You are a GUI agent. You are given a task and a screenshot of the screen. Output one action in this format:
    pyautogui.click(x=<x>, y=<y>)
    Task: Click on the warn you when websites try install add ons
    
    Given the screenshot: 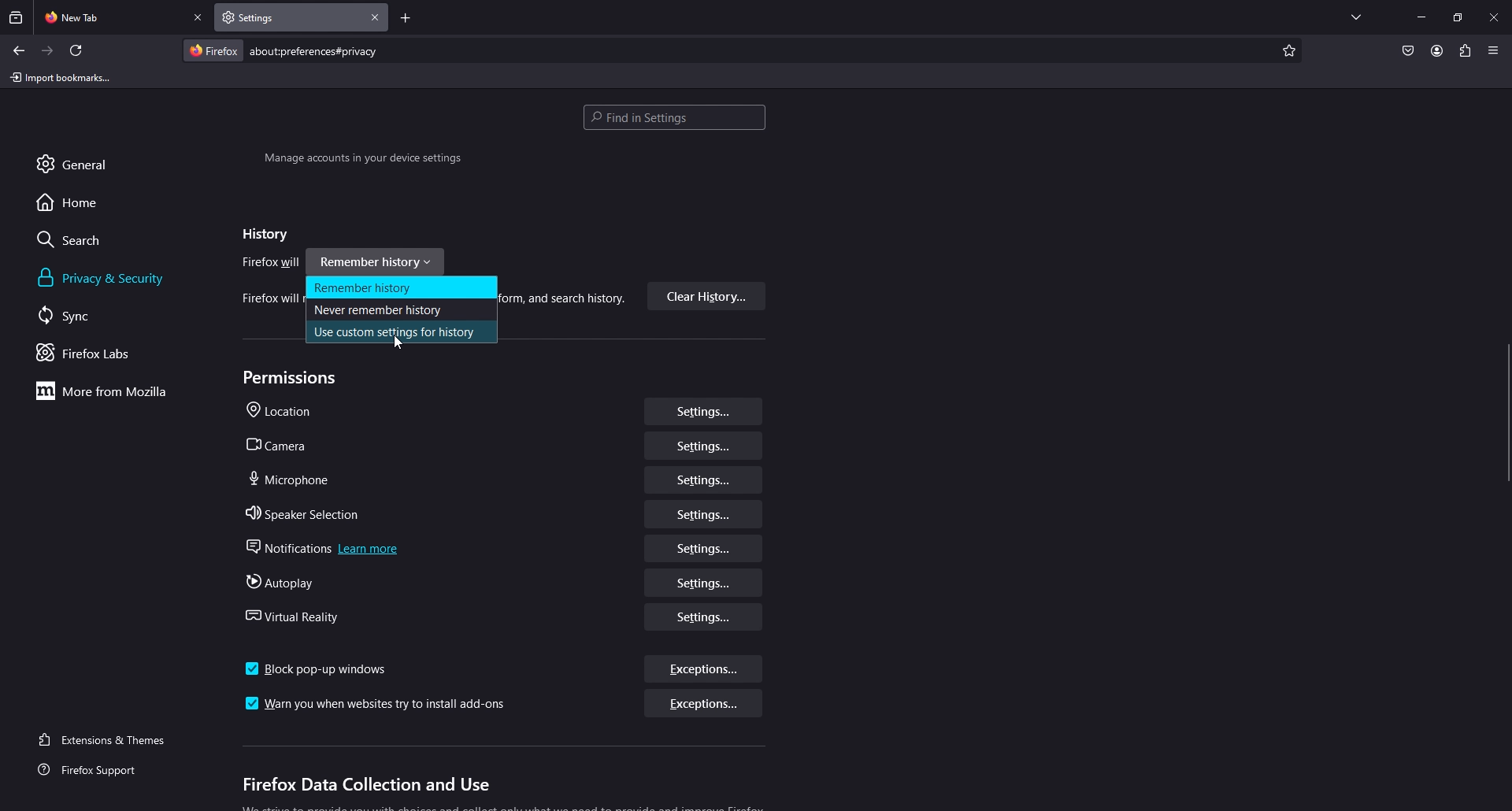 What is the action you would take?
    pyautogui.click(x=380, y=705)
    